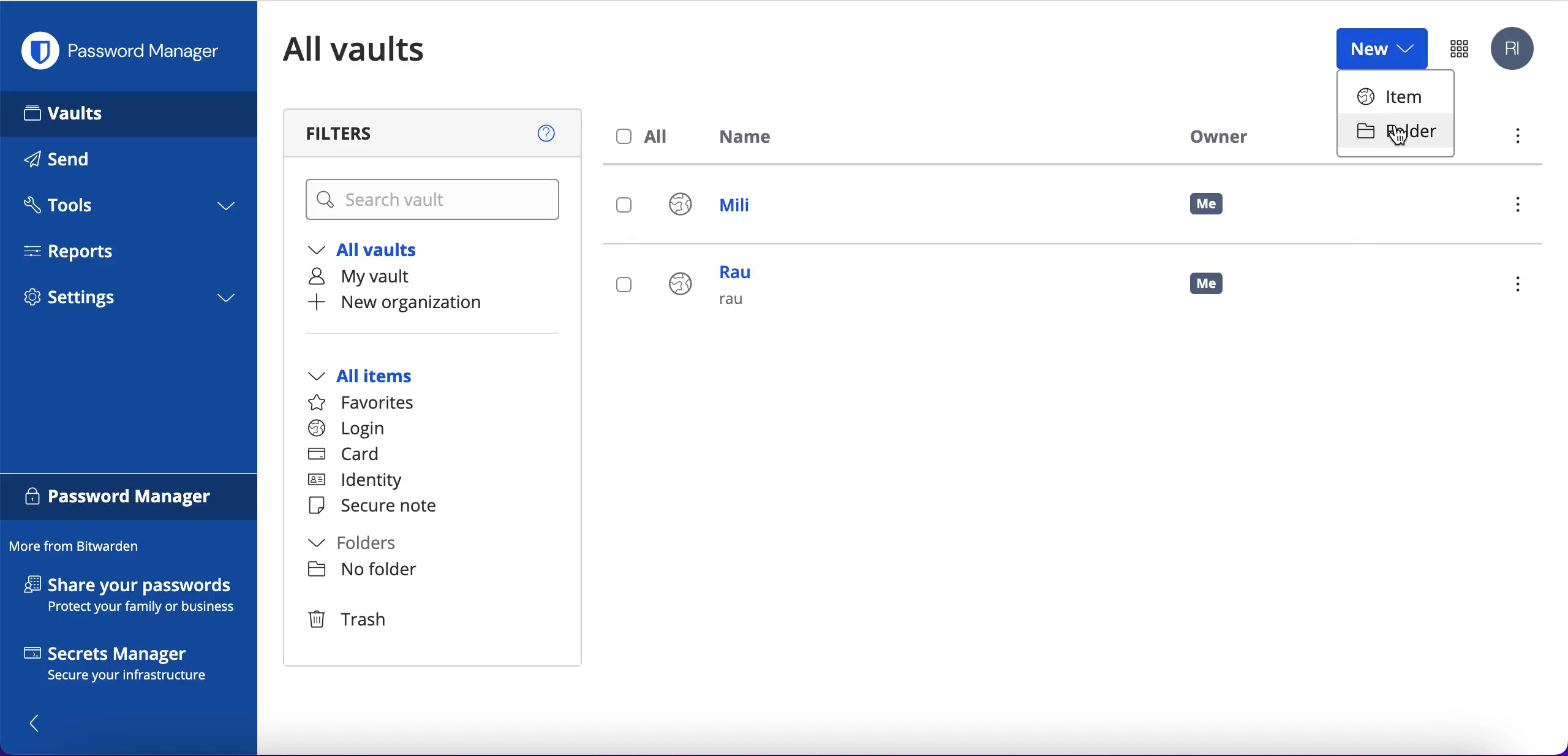 The height and width of the screenshot is (756, 1568). Describe the element at coordinates (1395, 98) in the screenshot. I see `item` at that location.